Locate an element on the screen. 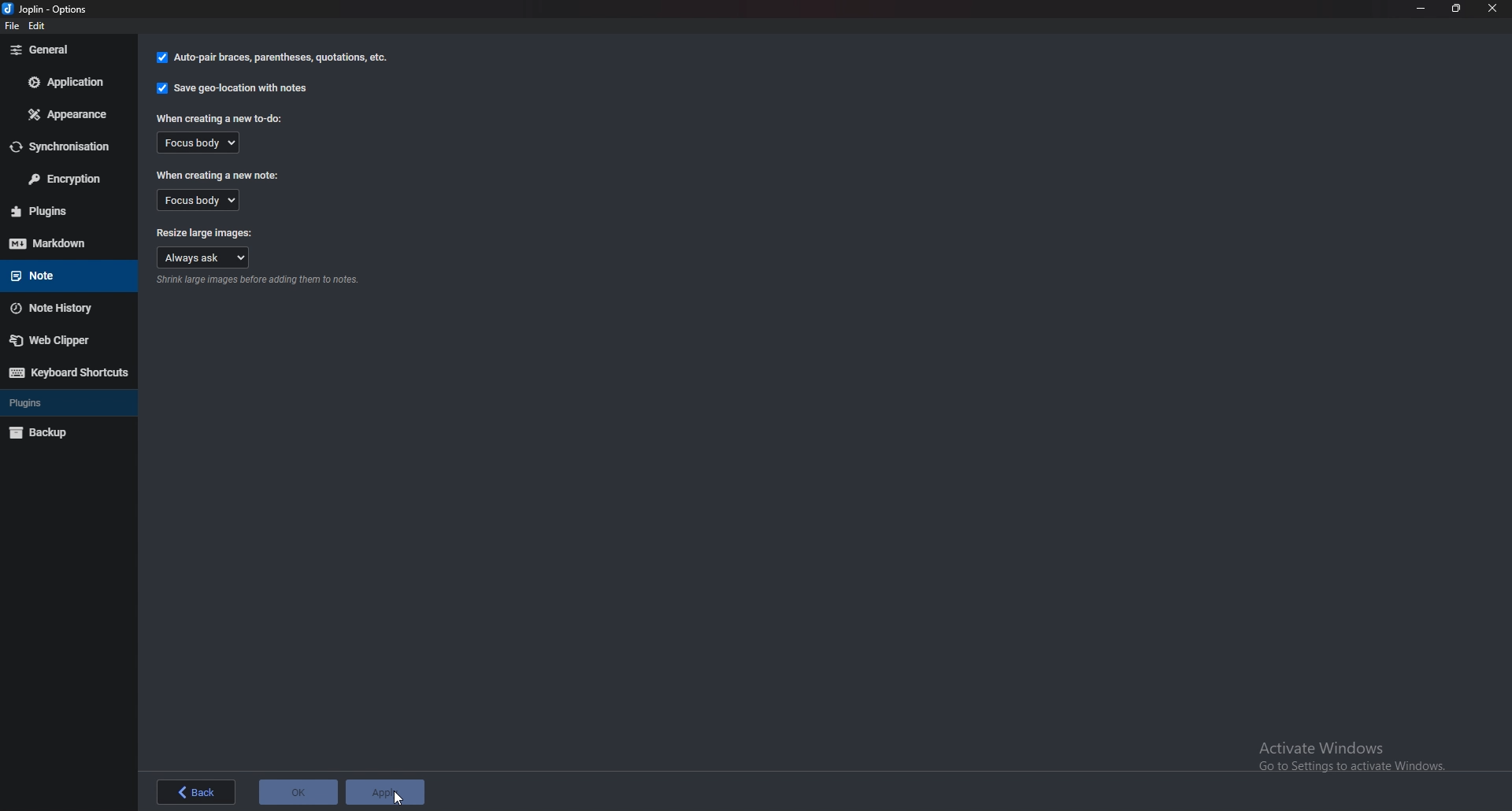 The height and width of the screenshot is (811, 1512). ok is located at coordinates (298, 792).